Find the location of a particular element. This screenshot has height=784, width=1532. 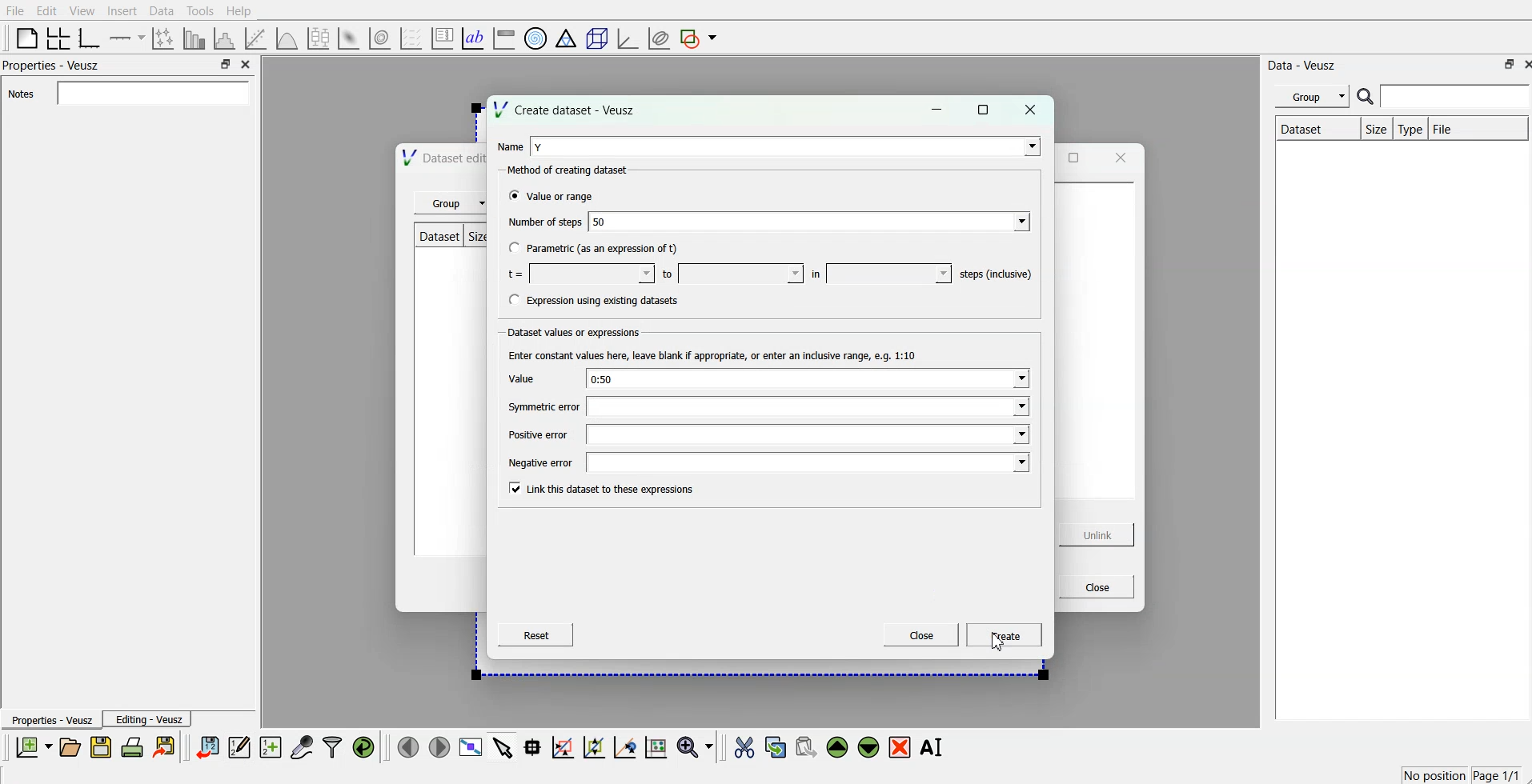

Dataset values or expressions is located at coordinates (576, 330).